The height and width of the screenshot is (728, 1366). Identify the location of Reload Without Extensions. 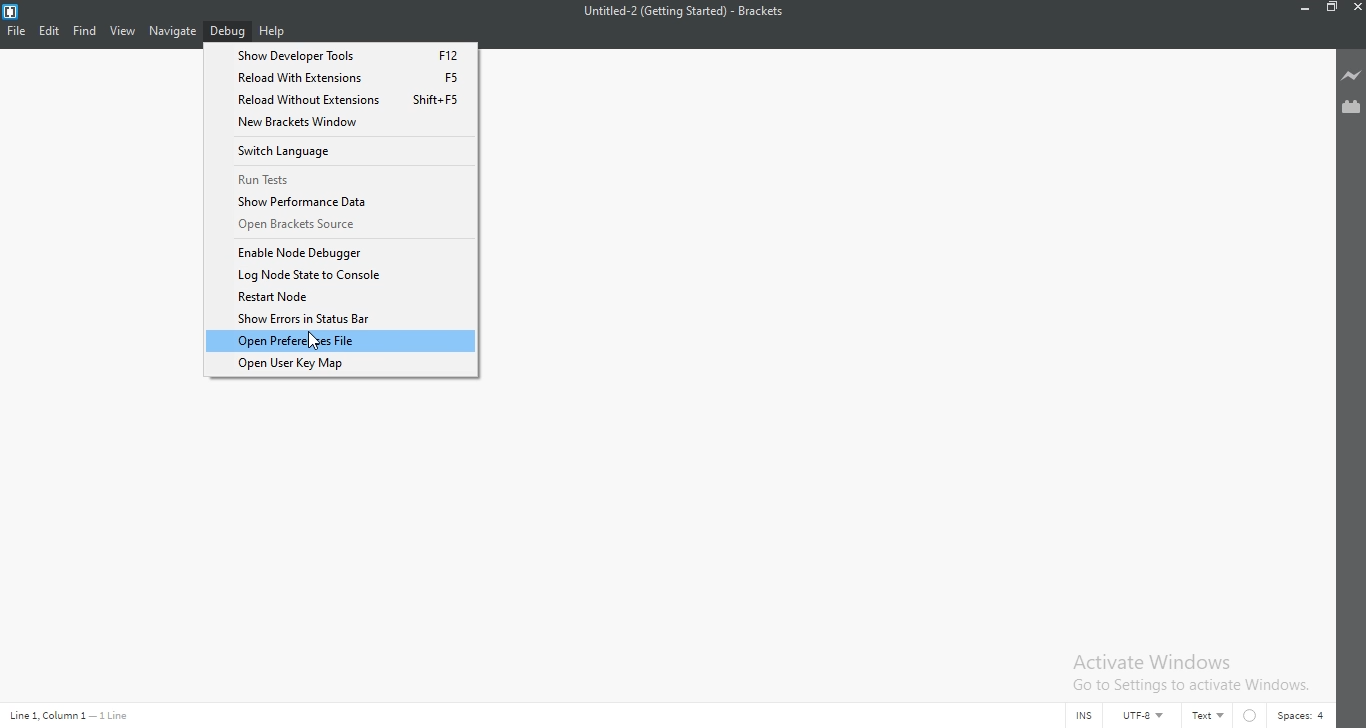
(340, 76).